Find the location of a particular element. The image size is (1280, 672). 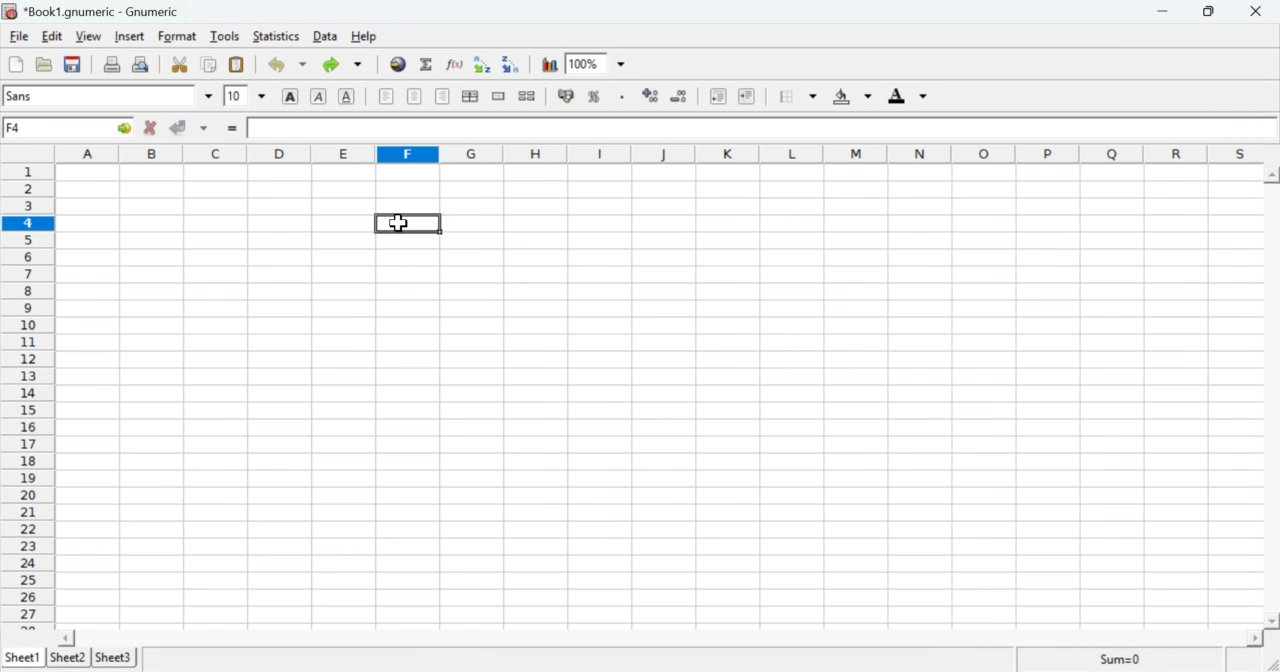

Font Style is located at coordinates (101, 96).